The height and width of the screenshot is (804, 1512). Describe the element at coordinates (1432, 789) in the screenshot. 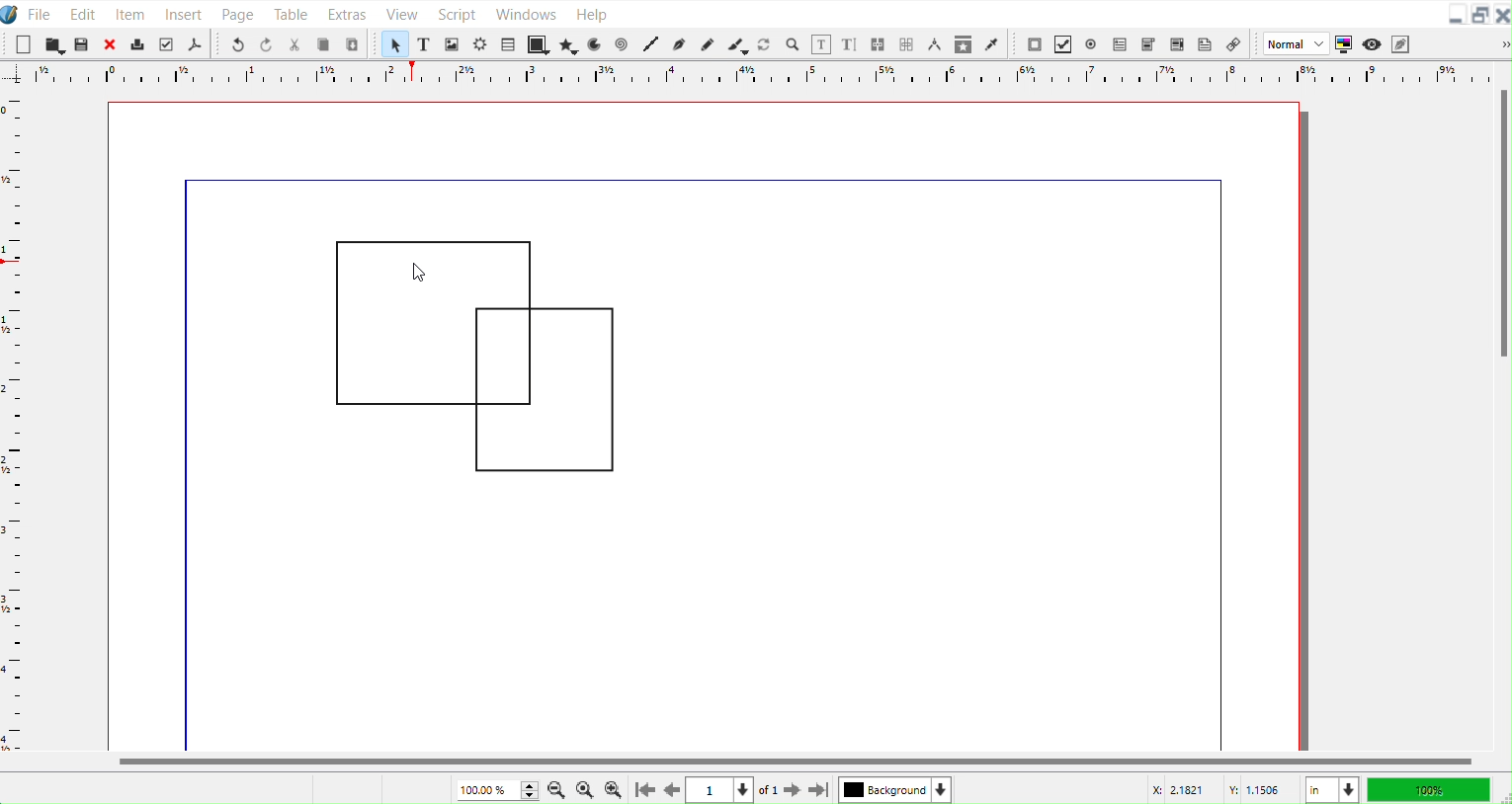

I see `100 % ` at that location.